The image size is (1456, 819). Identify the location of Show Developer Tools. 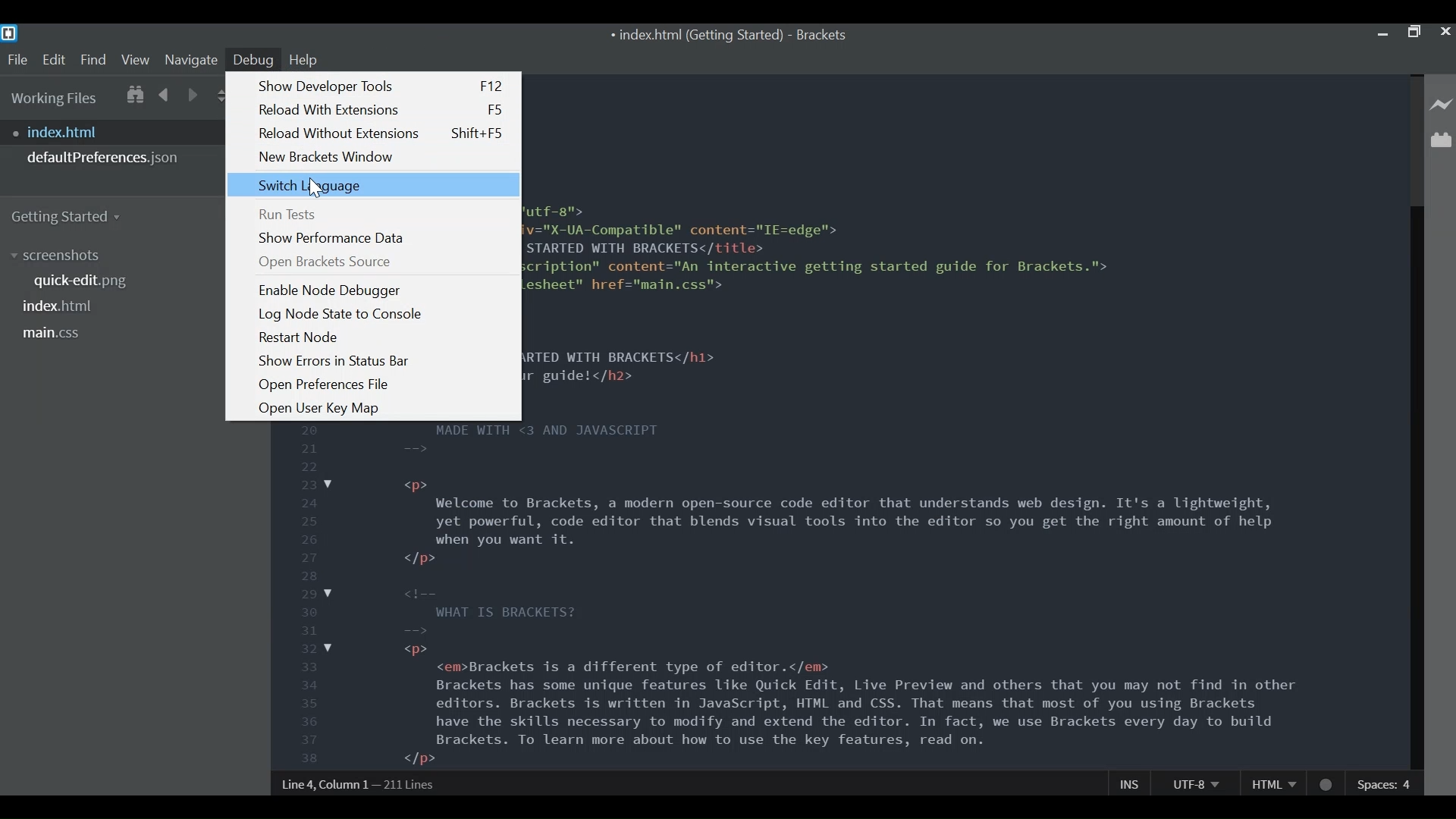
(380, 86).